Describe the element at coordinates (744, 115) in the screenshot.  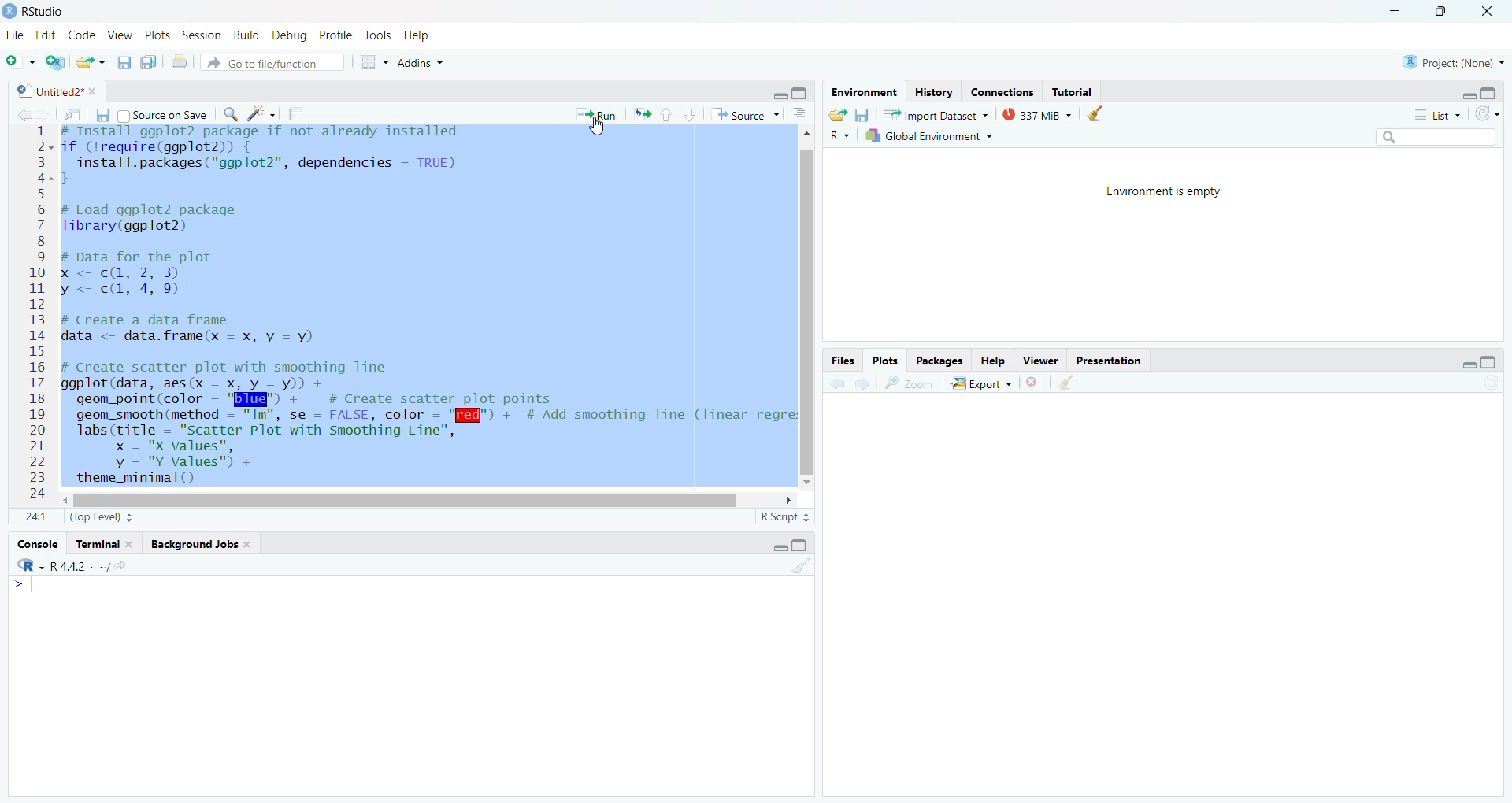
I see `Source ` at that location.